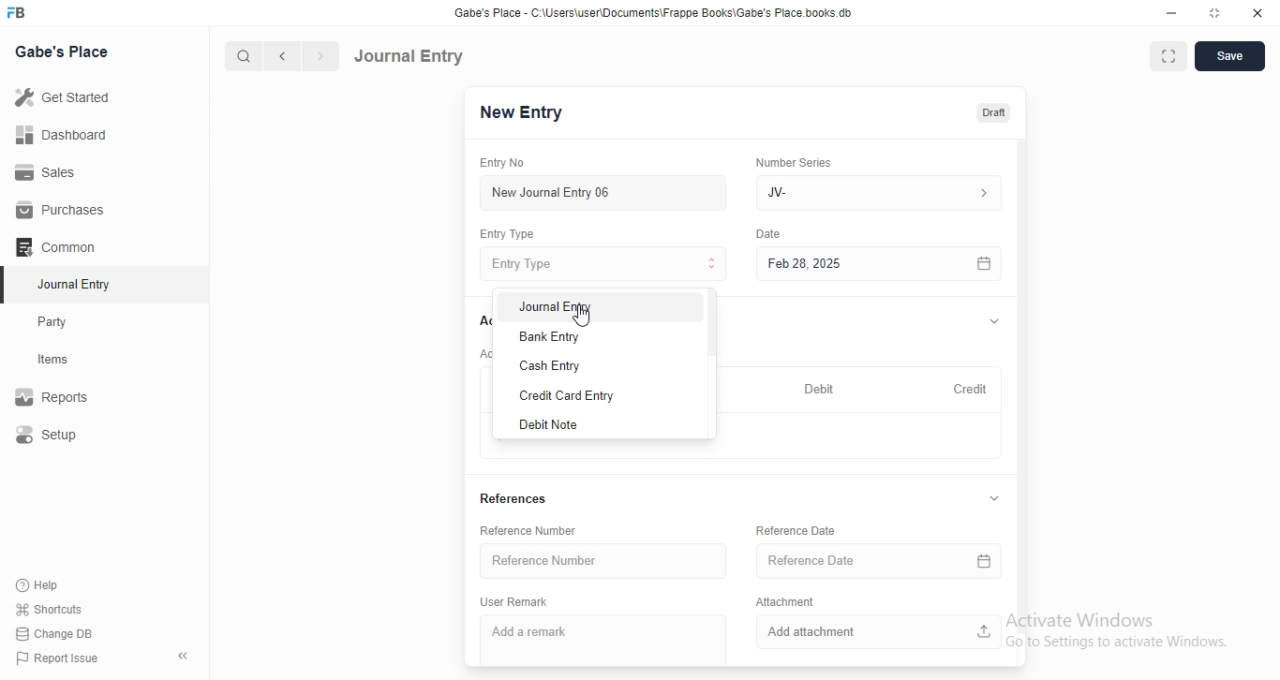 This screenshot has height=680, width=1280. Describe the element at coordinates (65, 399) in the screenshot. I see `Reports` at that location.